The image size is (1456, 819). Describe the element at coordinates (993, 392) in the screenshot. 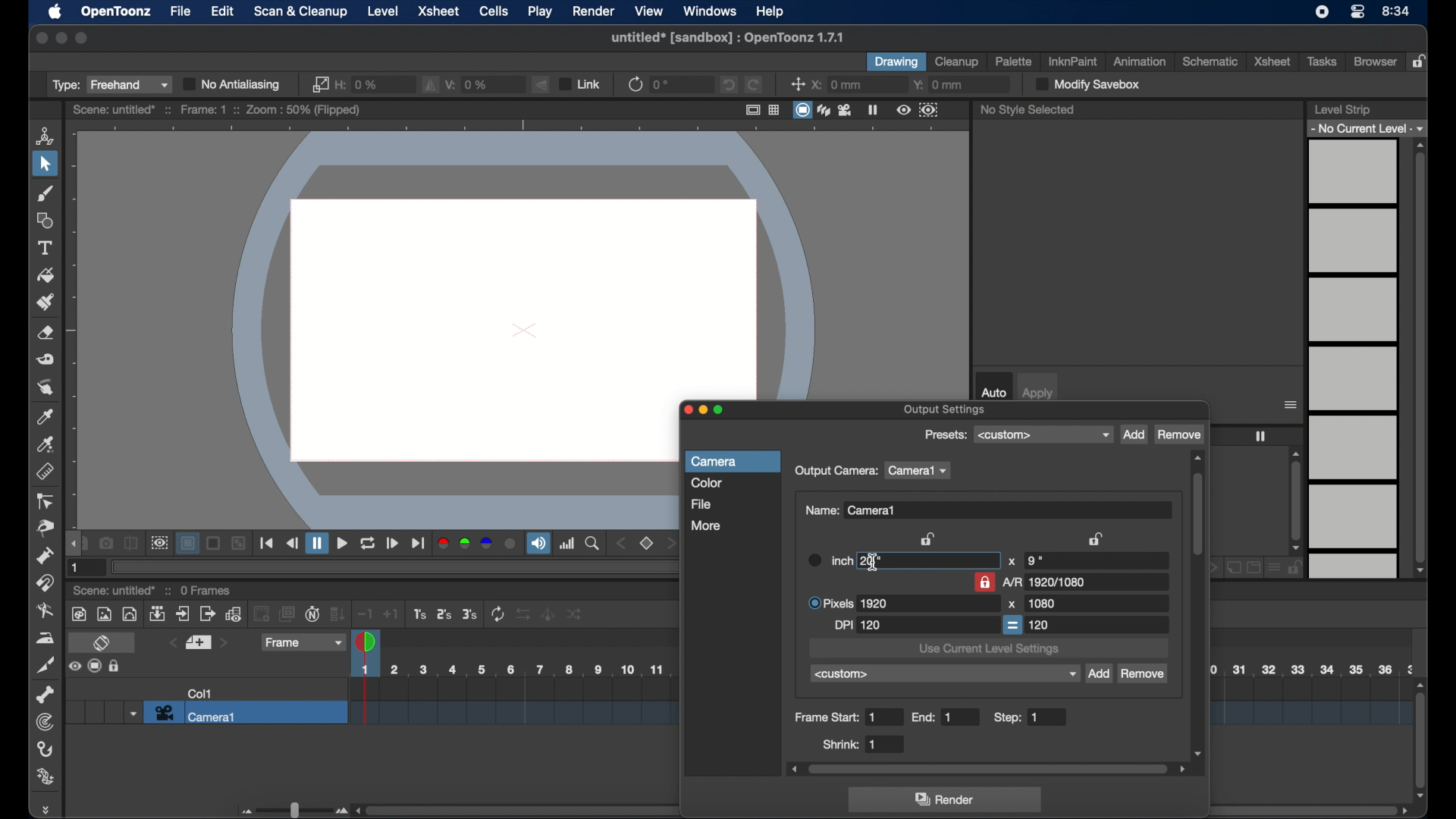

I see `auto` at that location.